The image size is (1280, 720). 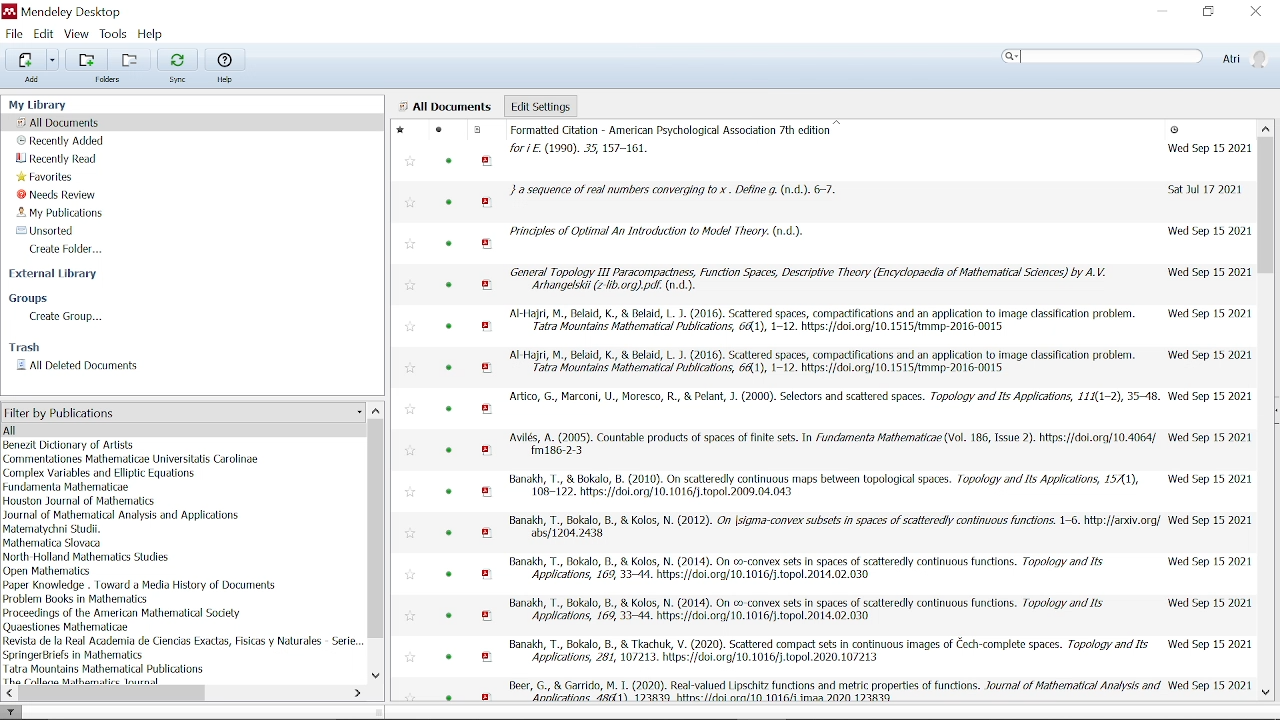 What do you see at coordinates (1212, 519) in the screenshot?
I see `Date time` at bounding box center [1212, 519].